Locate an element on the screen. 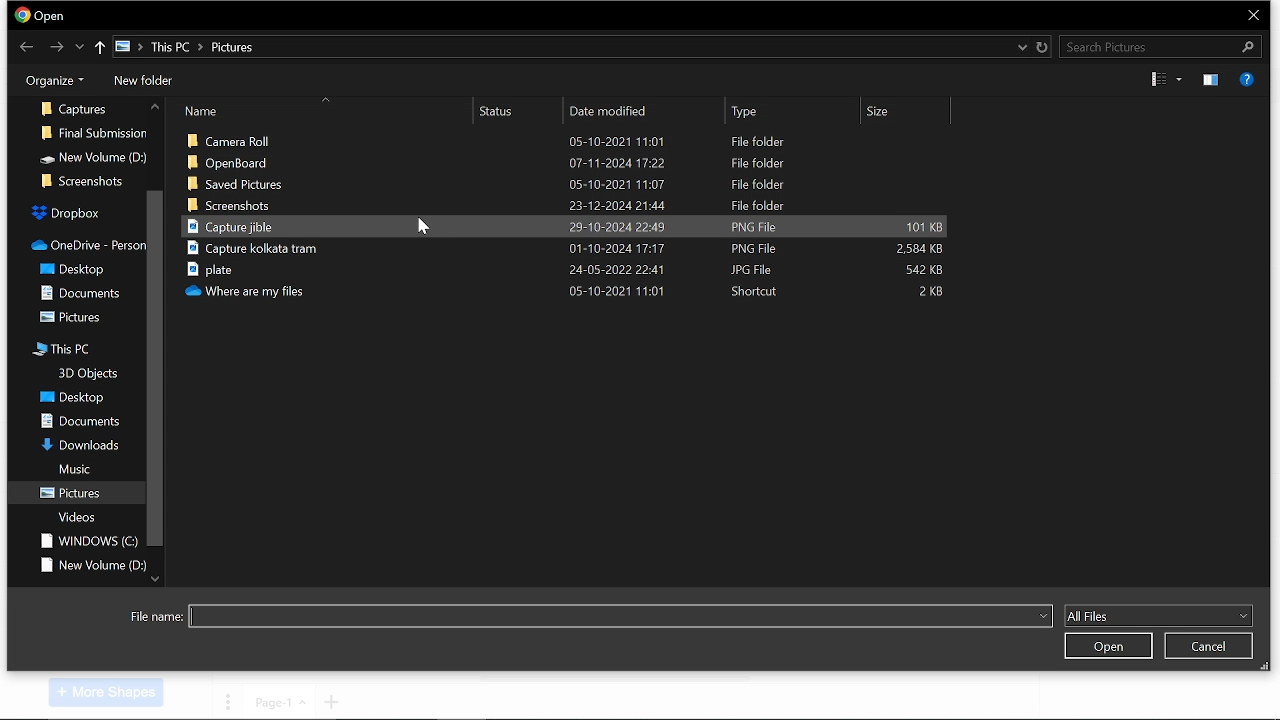 The height and width of the screenshot is (720, 1280). folders is located at coordinates (75, 292).